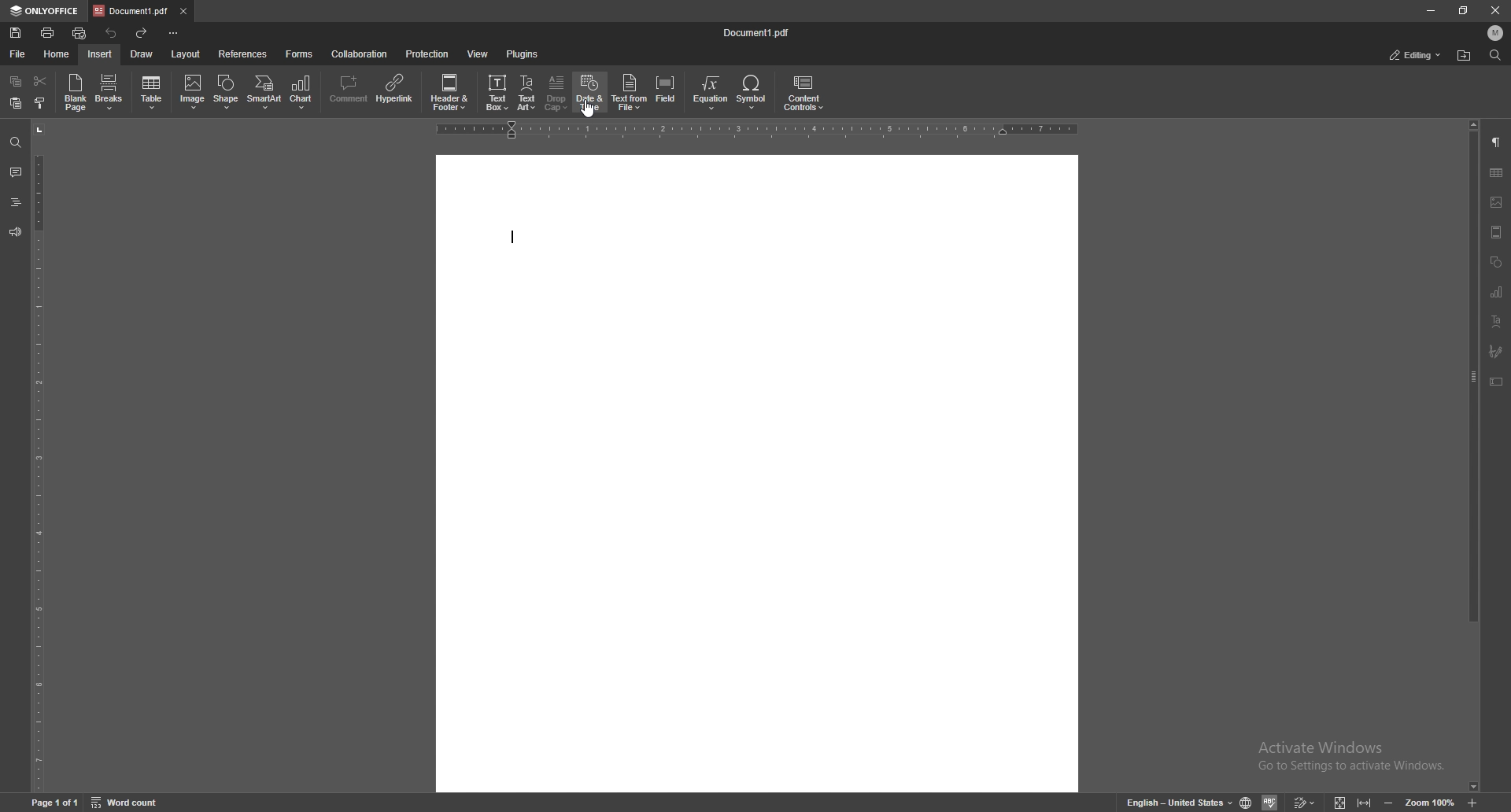 This screenshot has height=812, width=1511. Describe the element at coordinates (15, 232) in the screenshot. I see `feedback` at that location.